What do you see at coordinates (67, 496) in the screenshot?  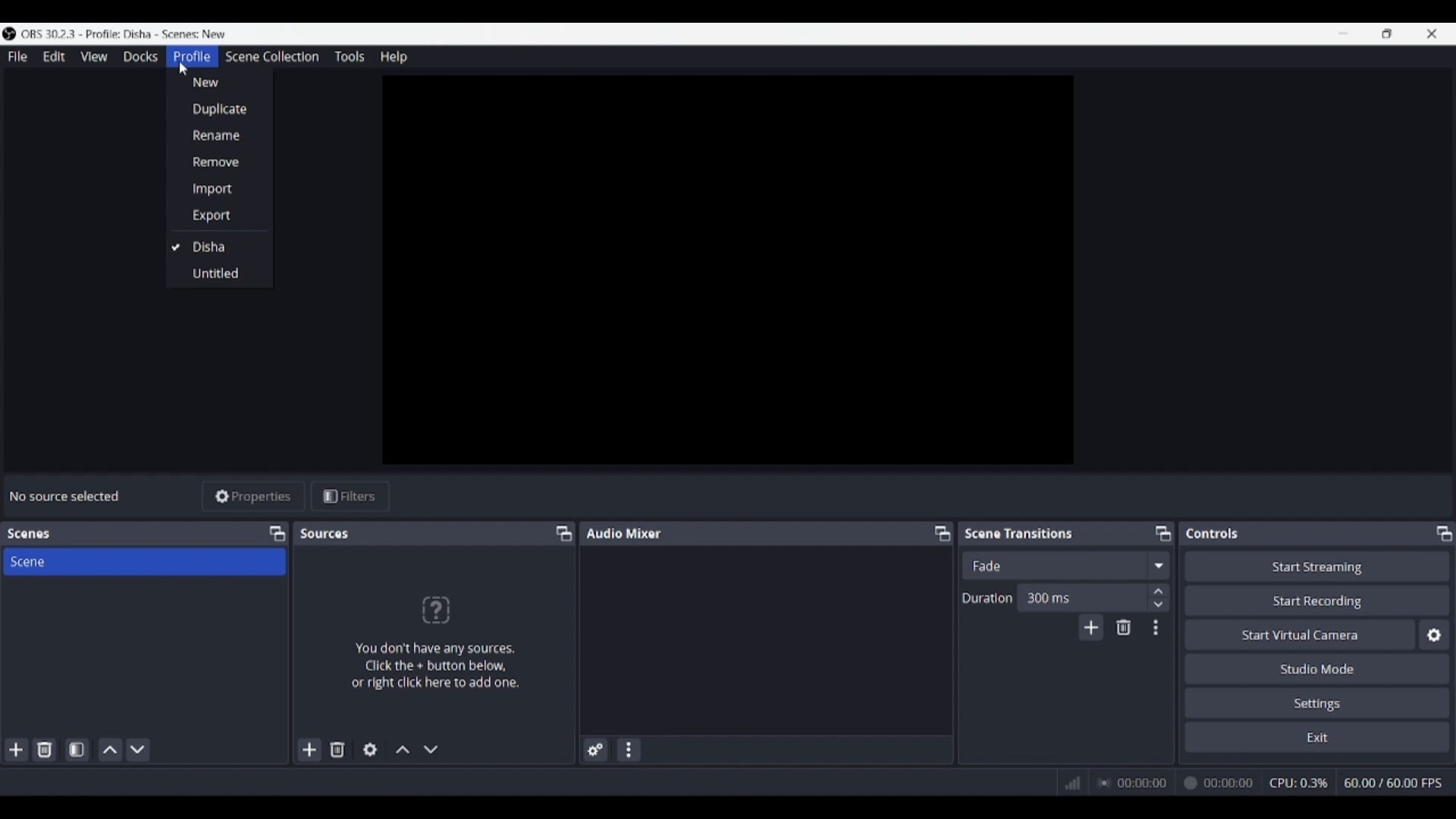 I see `Source status` at bounding box center [67, 496].